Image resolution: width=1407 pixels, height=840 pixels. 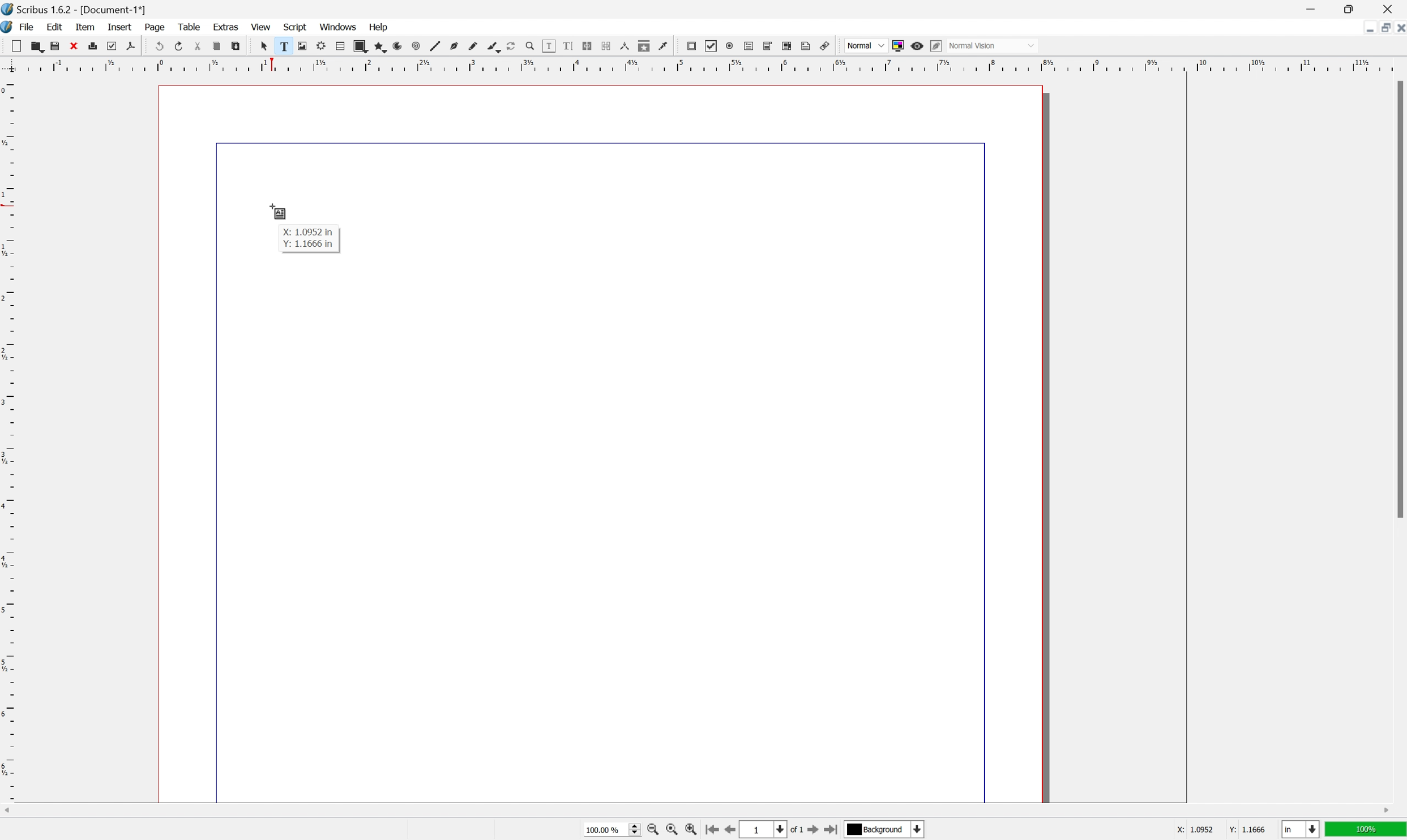 I want to click on text annotation, so click(x=806, y=46).